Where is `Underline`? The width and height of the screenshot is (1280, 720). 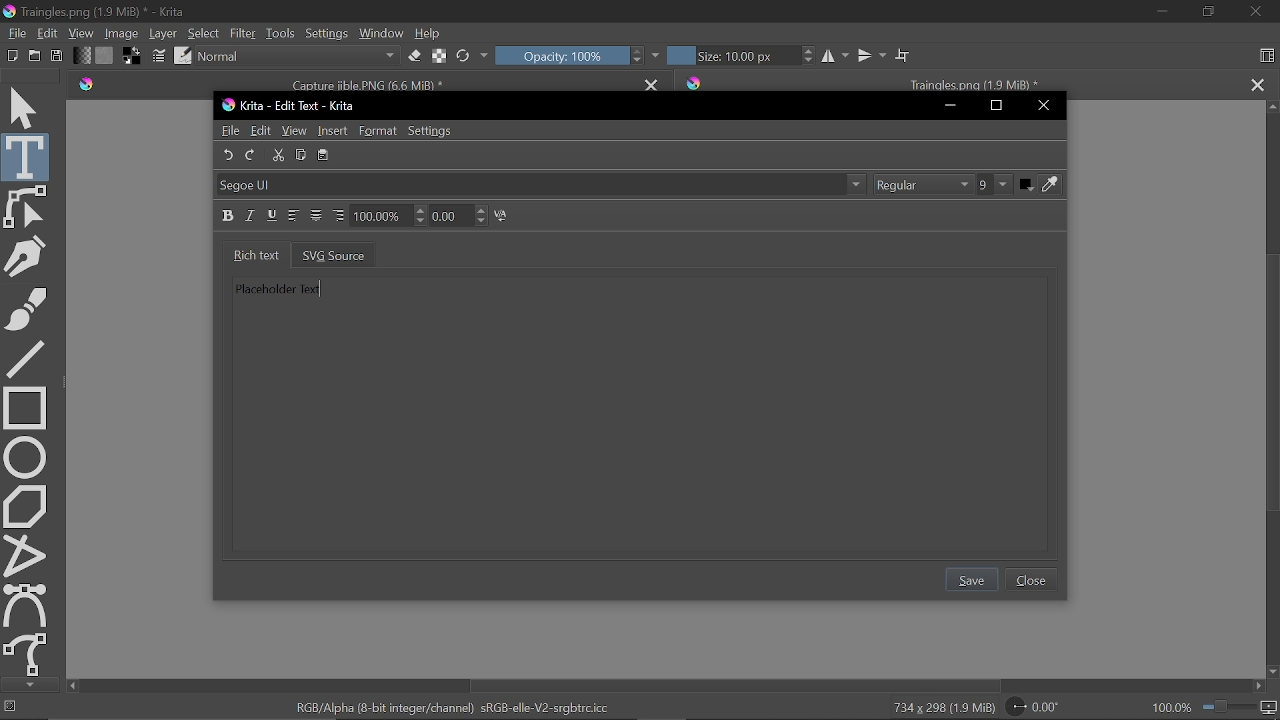 Underline is located at coordinates (272, 214).